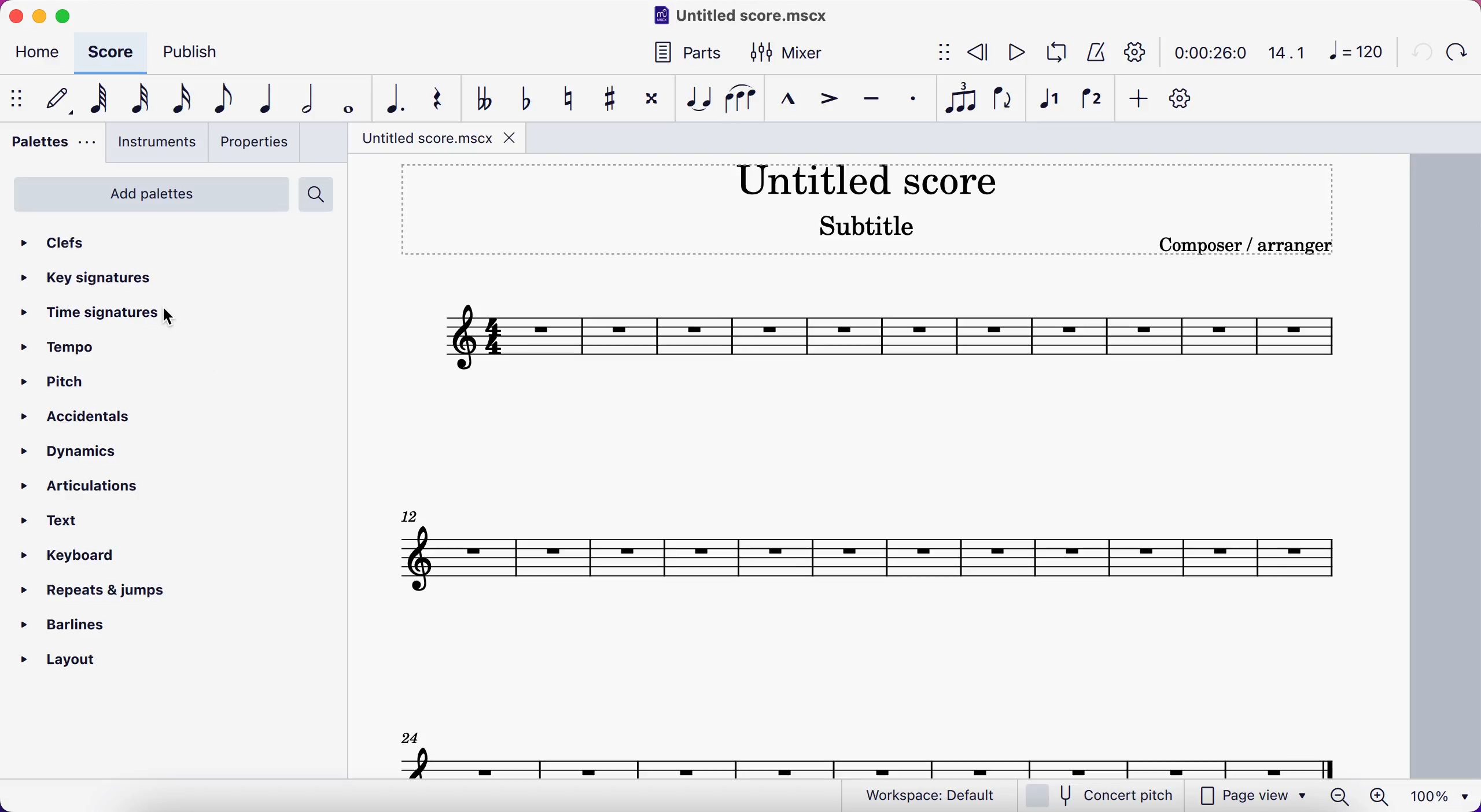 The image size is (1481, 812). What do you see at coordinates (1353, 52) in the screenshot?
I see `120` at bounding box center [1353, 52].